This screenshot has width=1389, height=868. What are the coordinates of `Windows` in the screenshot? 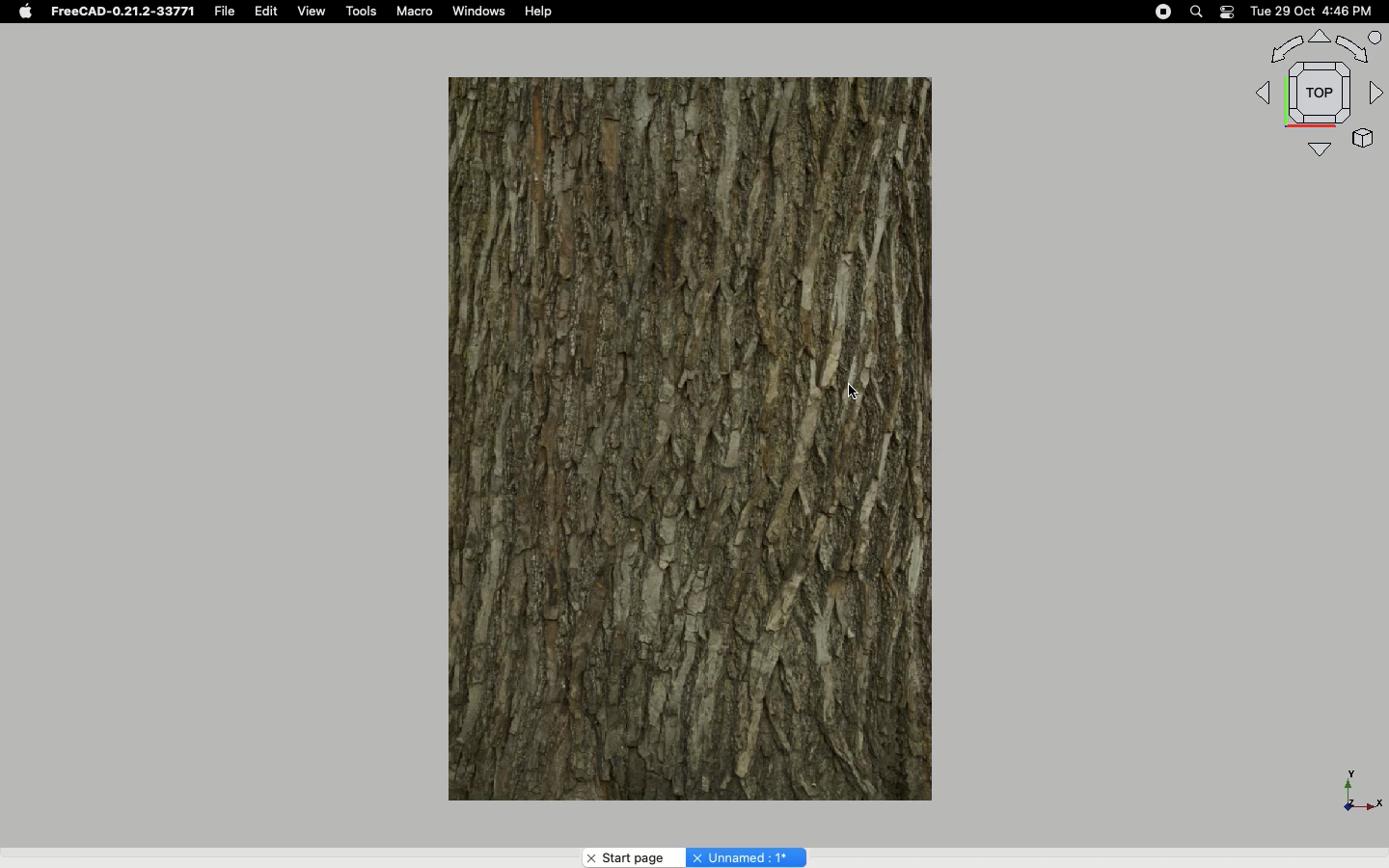 It's located at (484, 13).